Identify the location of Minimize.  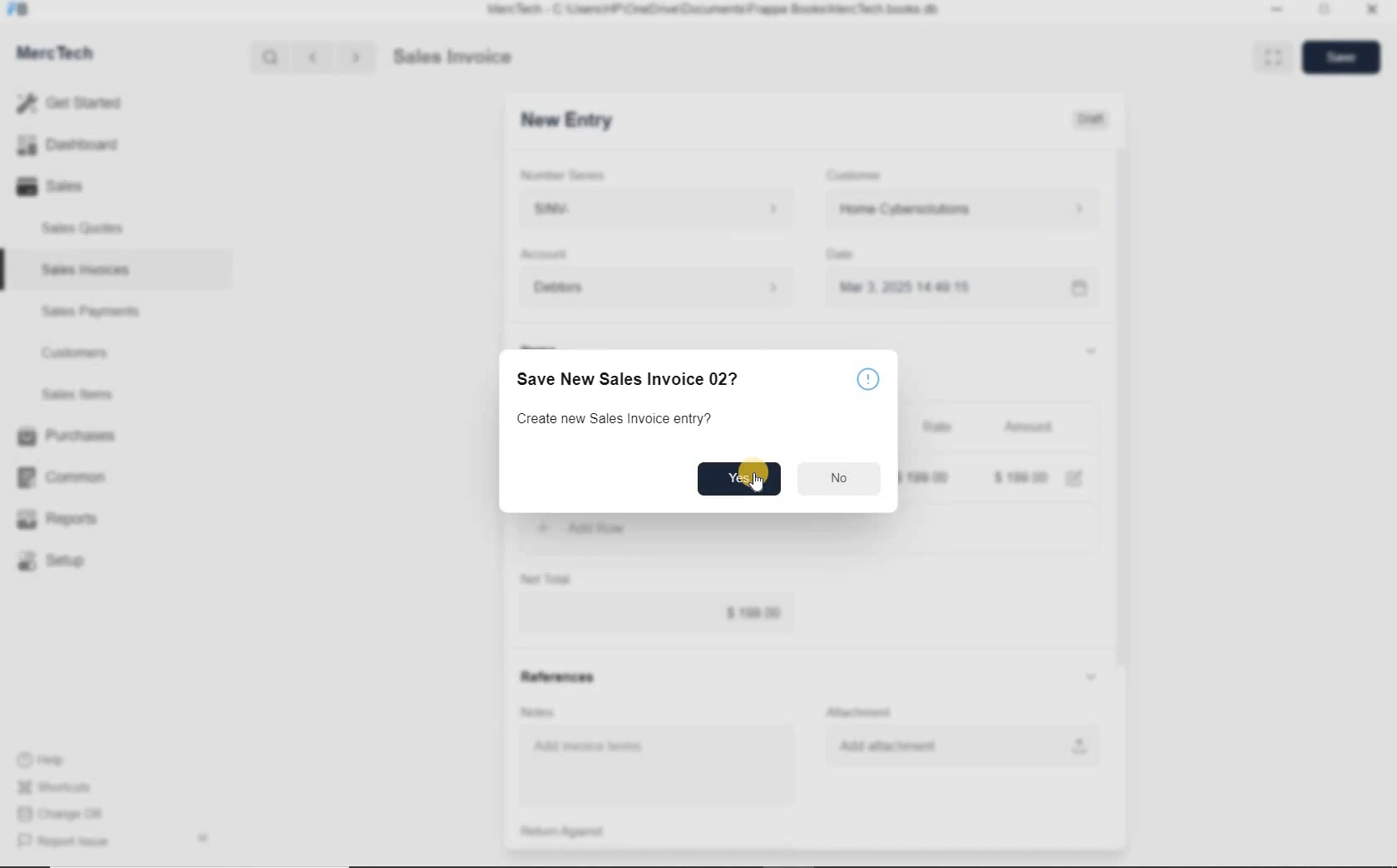
(1276, 12).